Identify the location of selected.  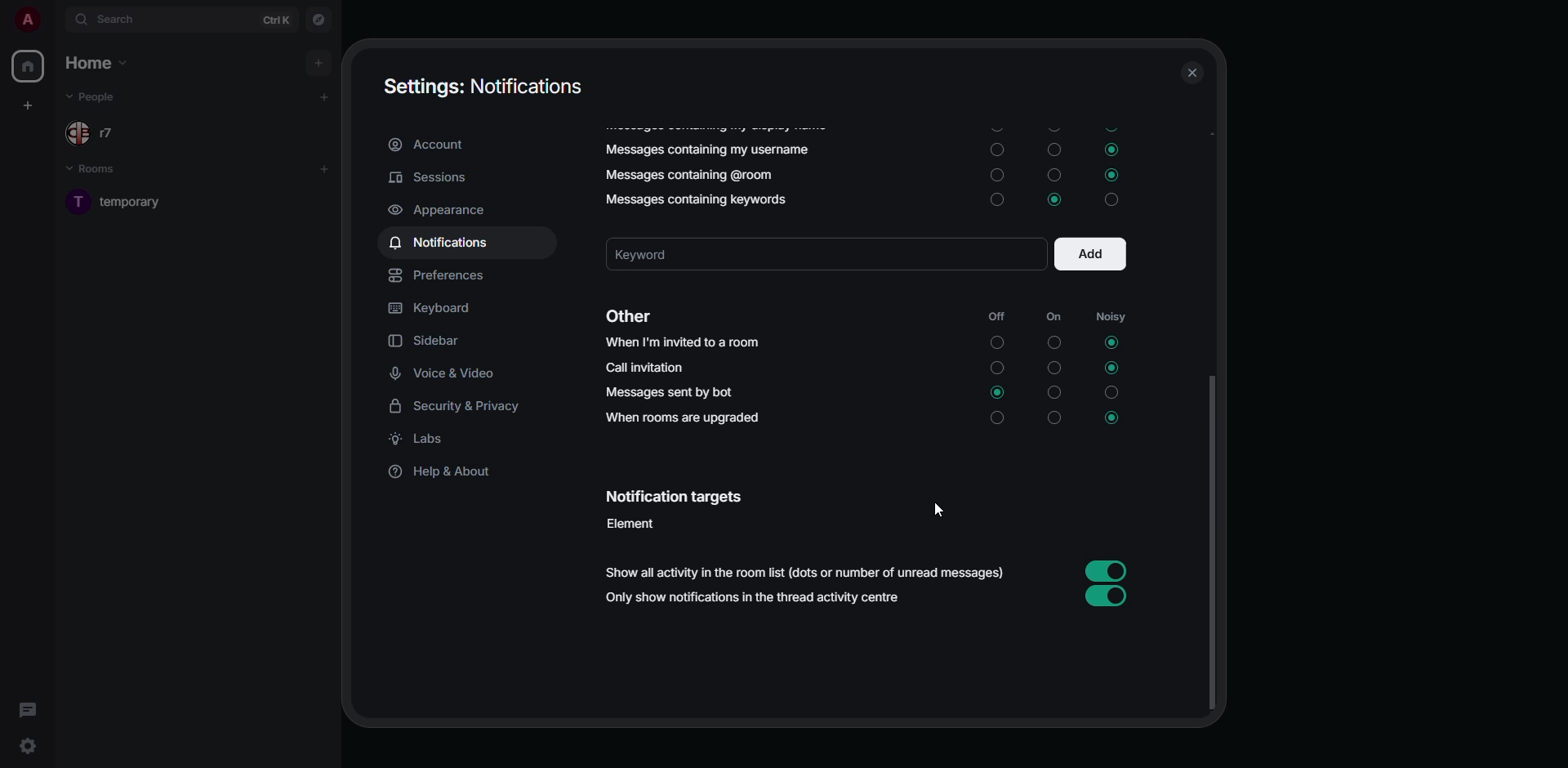
(1111, 370).